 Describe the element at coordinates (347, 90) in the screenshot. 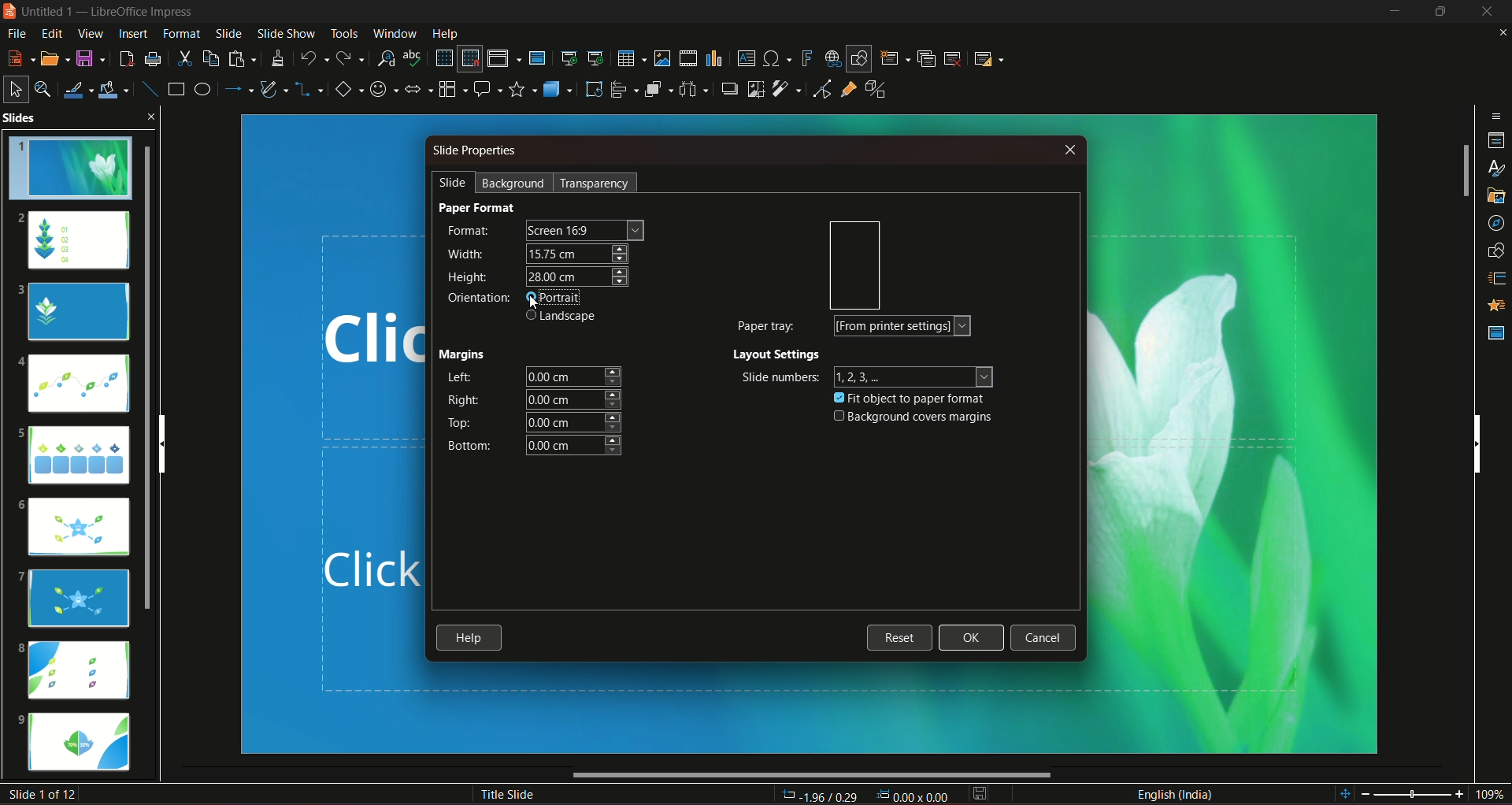

I see `basic shapes` at that location.